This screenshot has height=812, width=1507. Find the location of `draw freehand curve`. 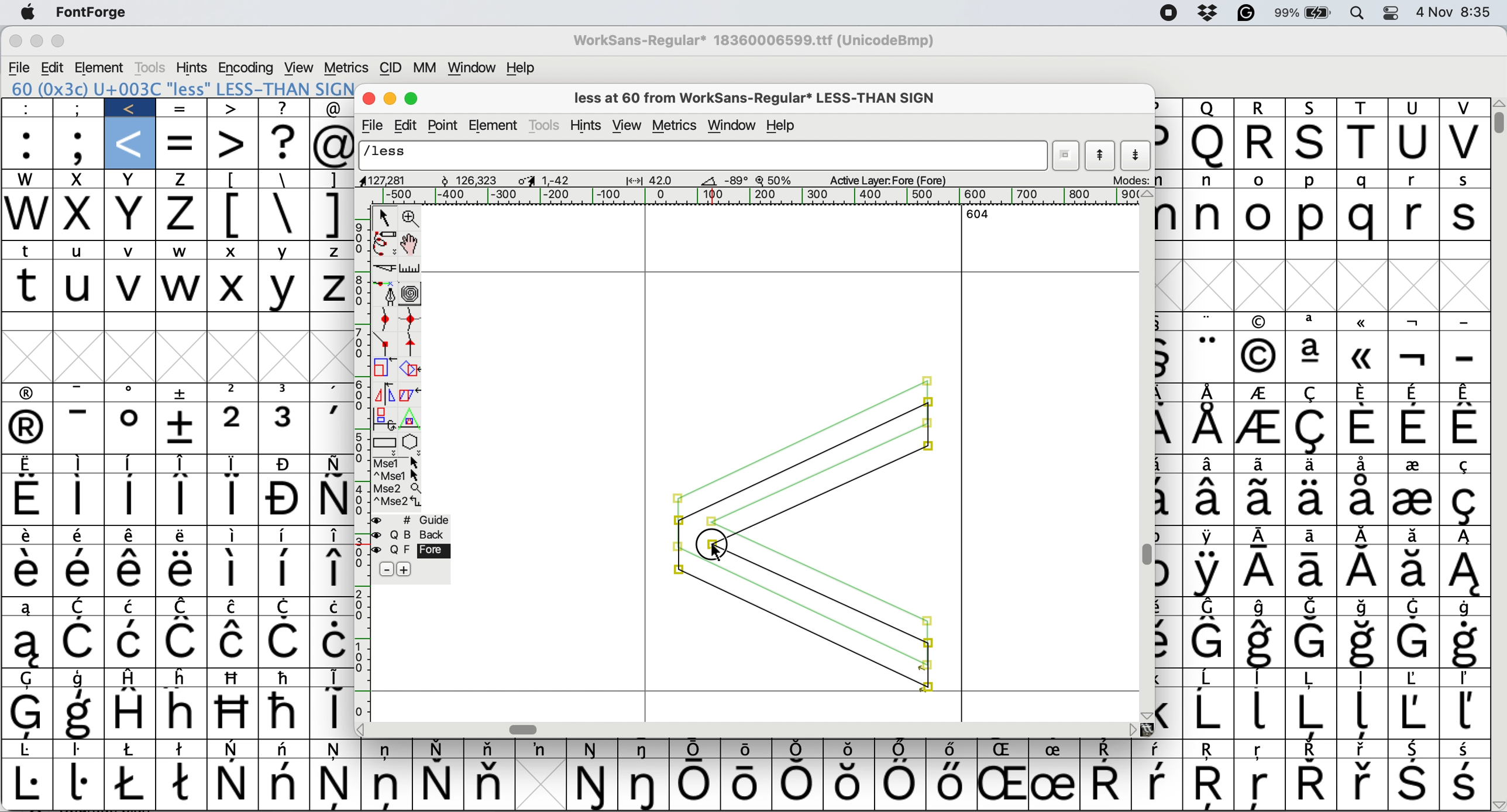

draw freehand curve is located at coordinates (383, 243).